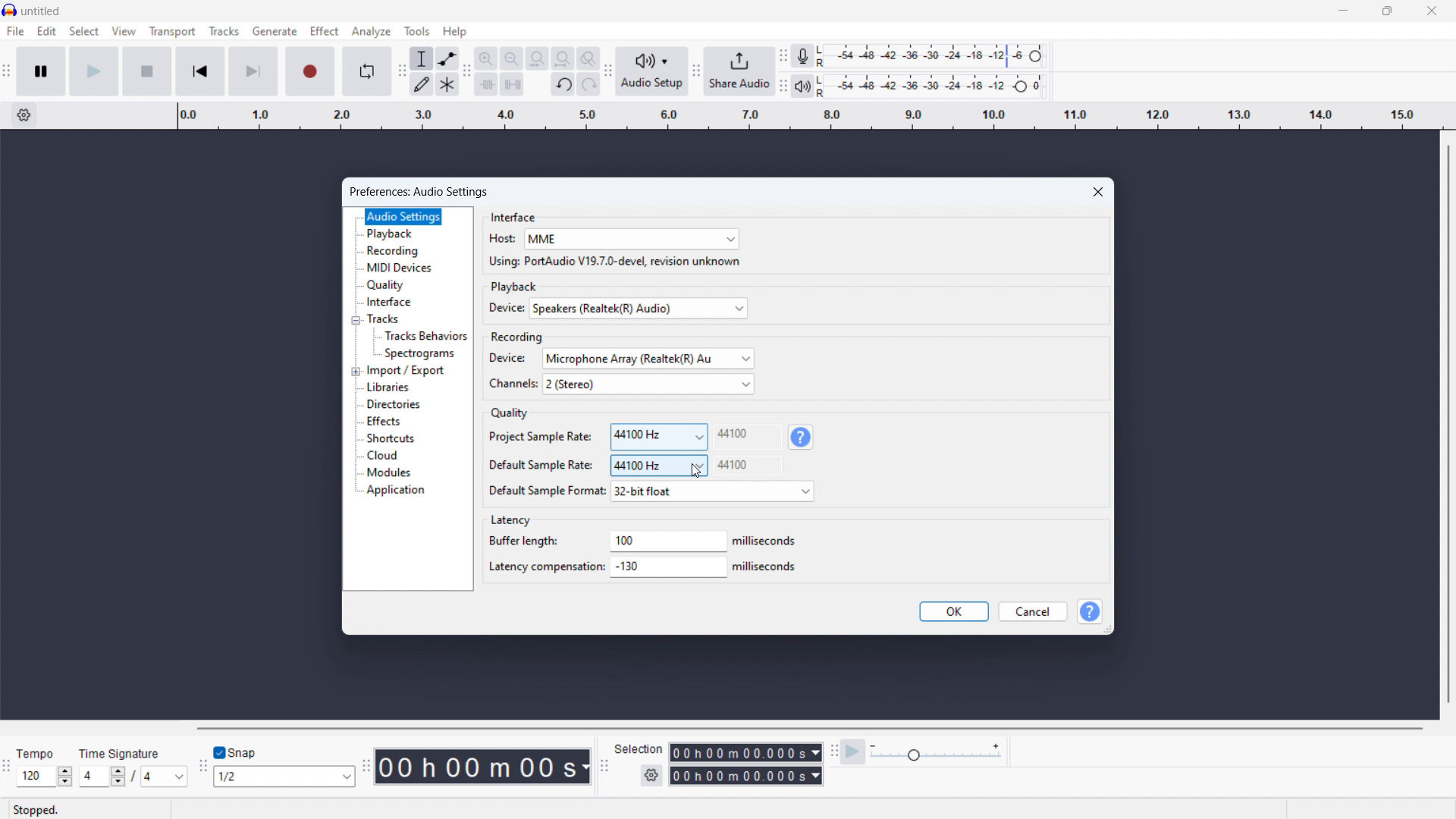 The image size is (1456, 819). Describe the element at coordinates (41, 11) in the screenshot. I see `title` at that location.